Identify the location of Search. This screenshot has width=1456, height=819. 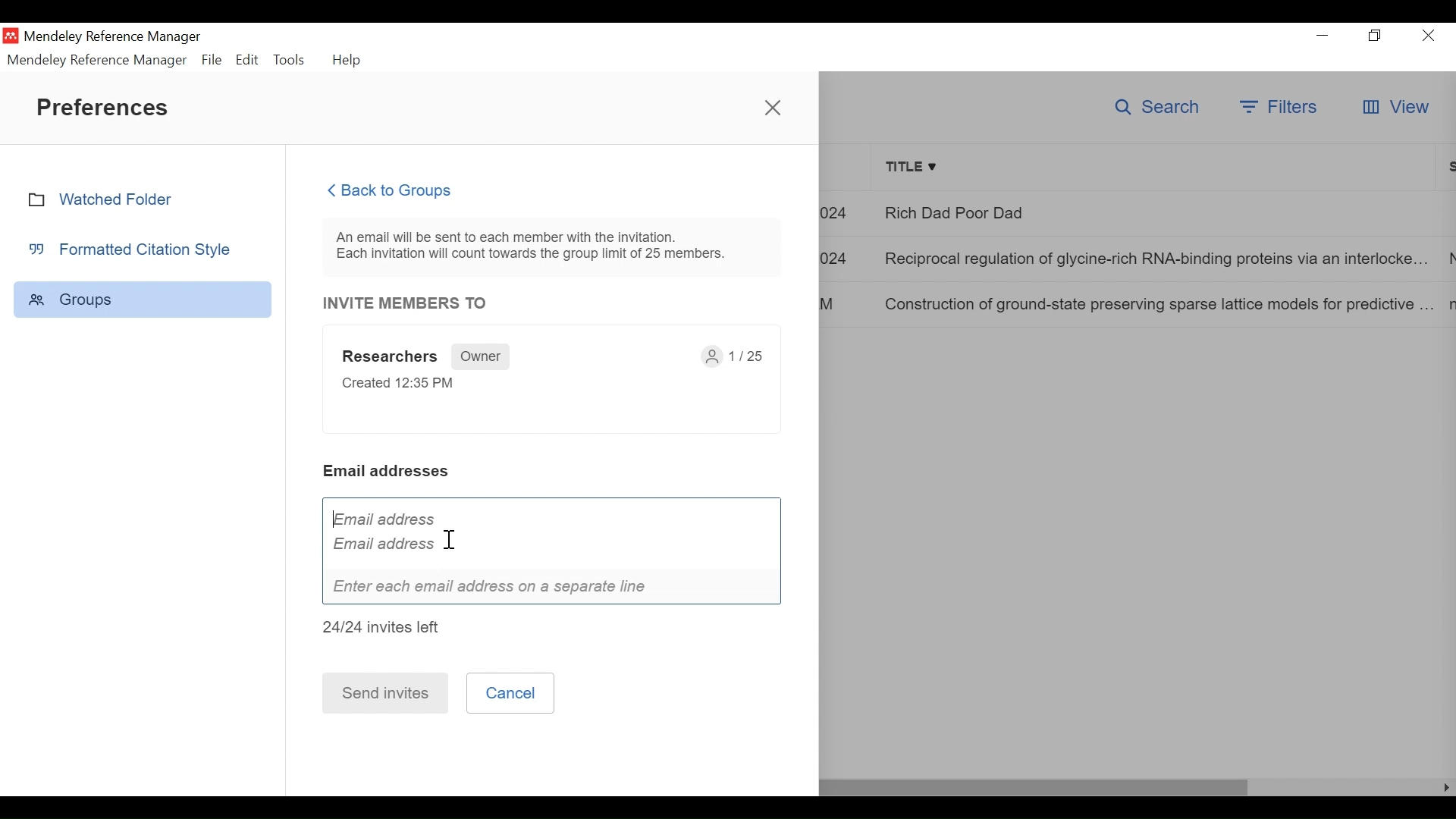
(1154, 108).